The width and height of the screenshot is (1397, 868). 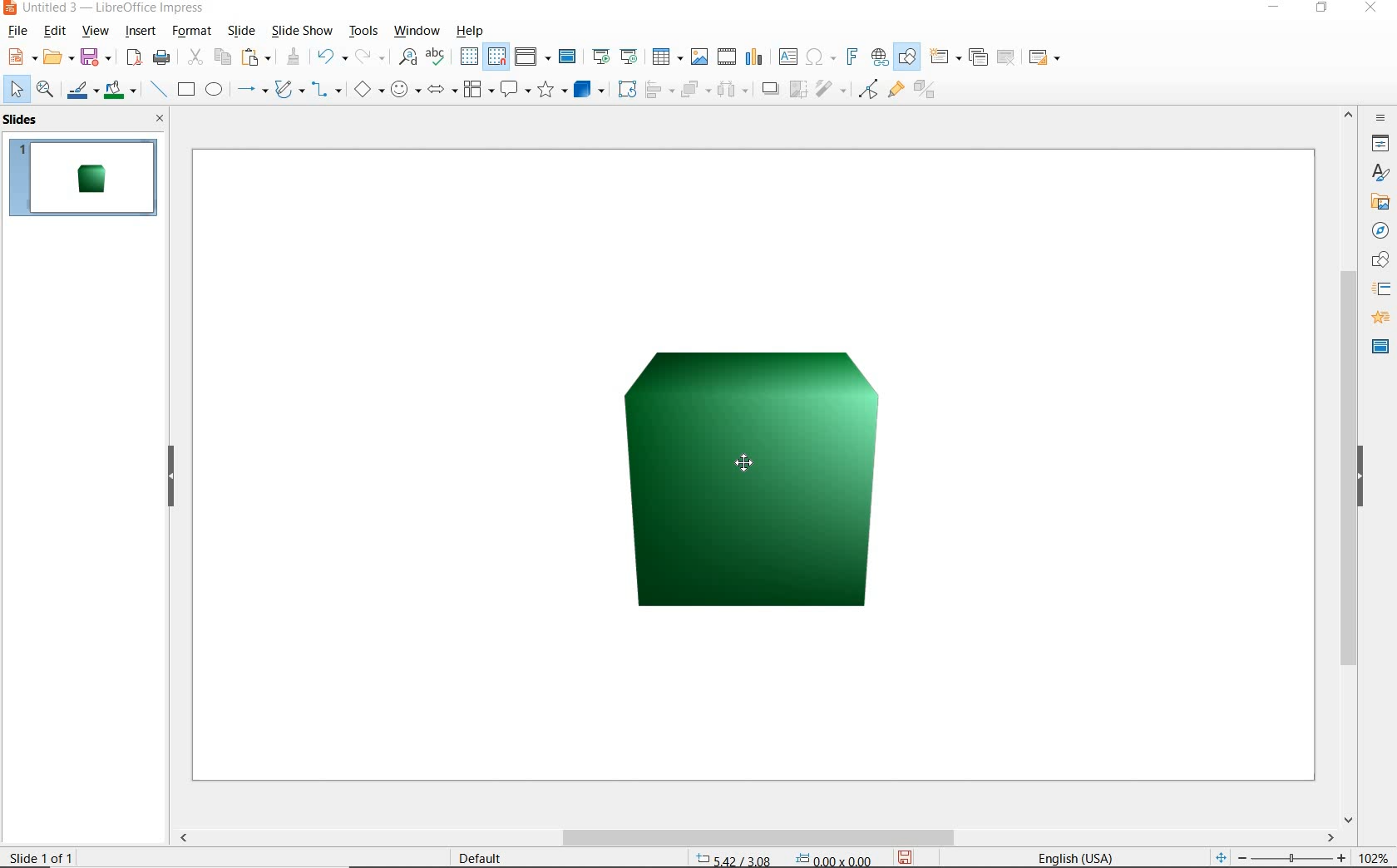 What do you see at coordinates (1321, 9) in the screenshot?
I see `RESTORE DOWN` at bounding box center [1321, 9].